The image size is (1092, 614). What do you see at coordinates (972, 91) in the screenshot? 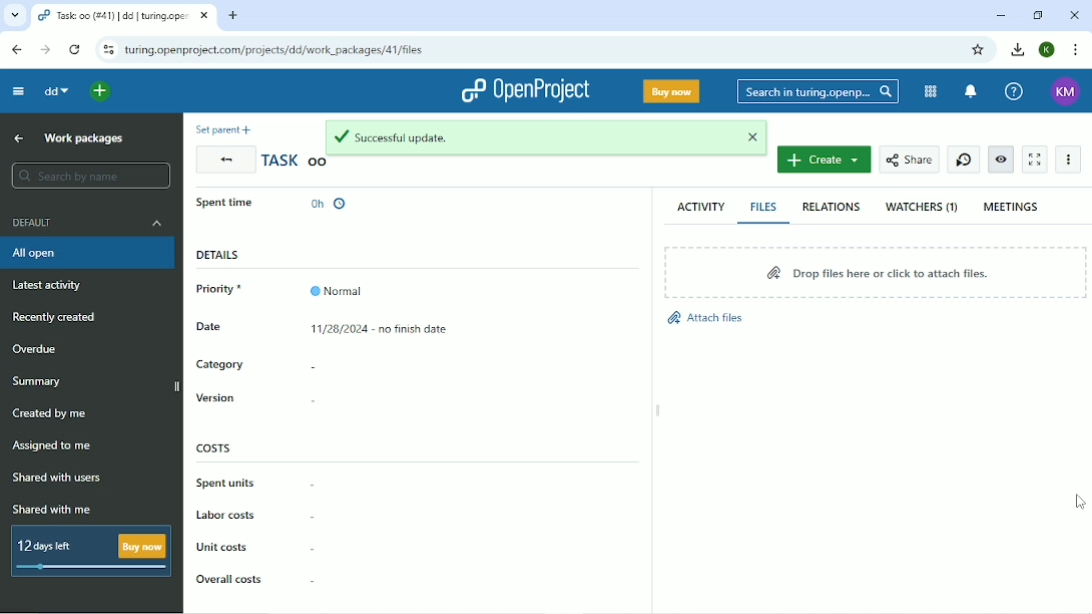
I see `To notification center` at bounding box center [972, 91].